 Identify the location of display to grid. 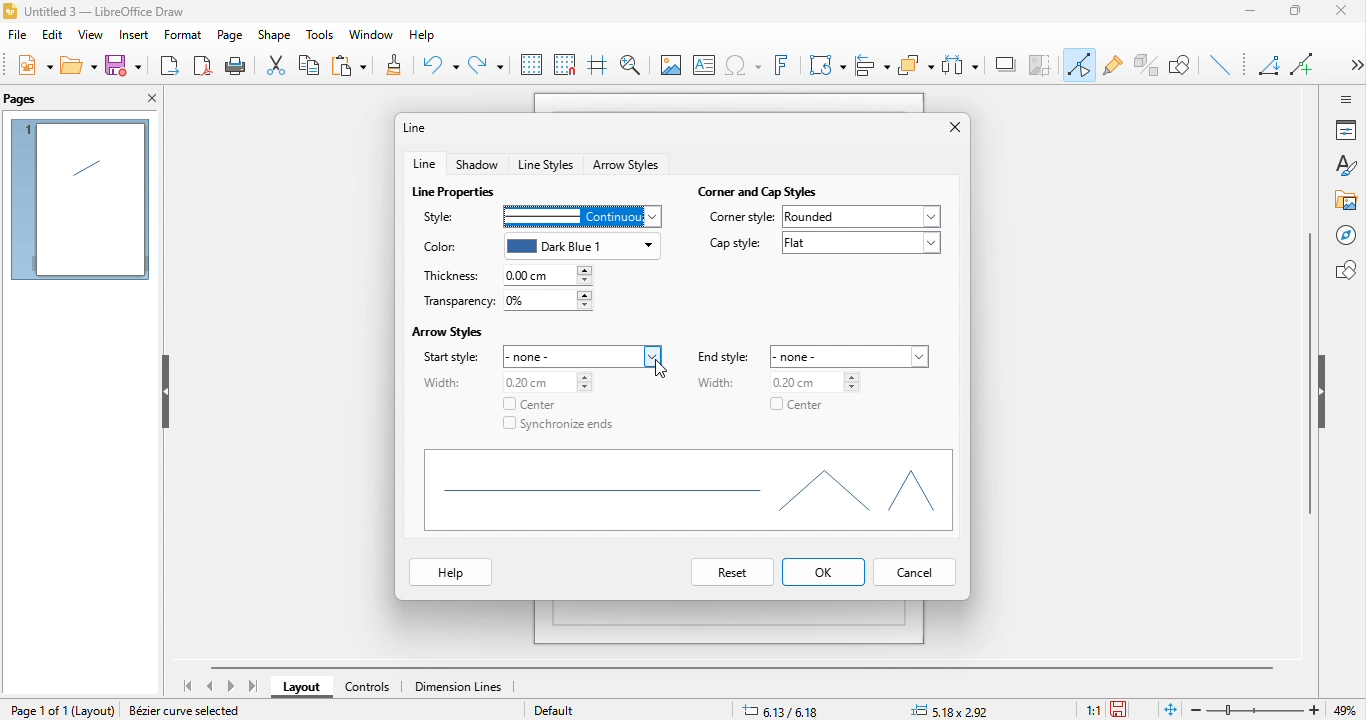
(530, 65).